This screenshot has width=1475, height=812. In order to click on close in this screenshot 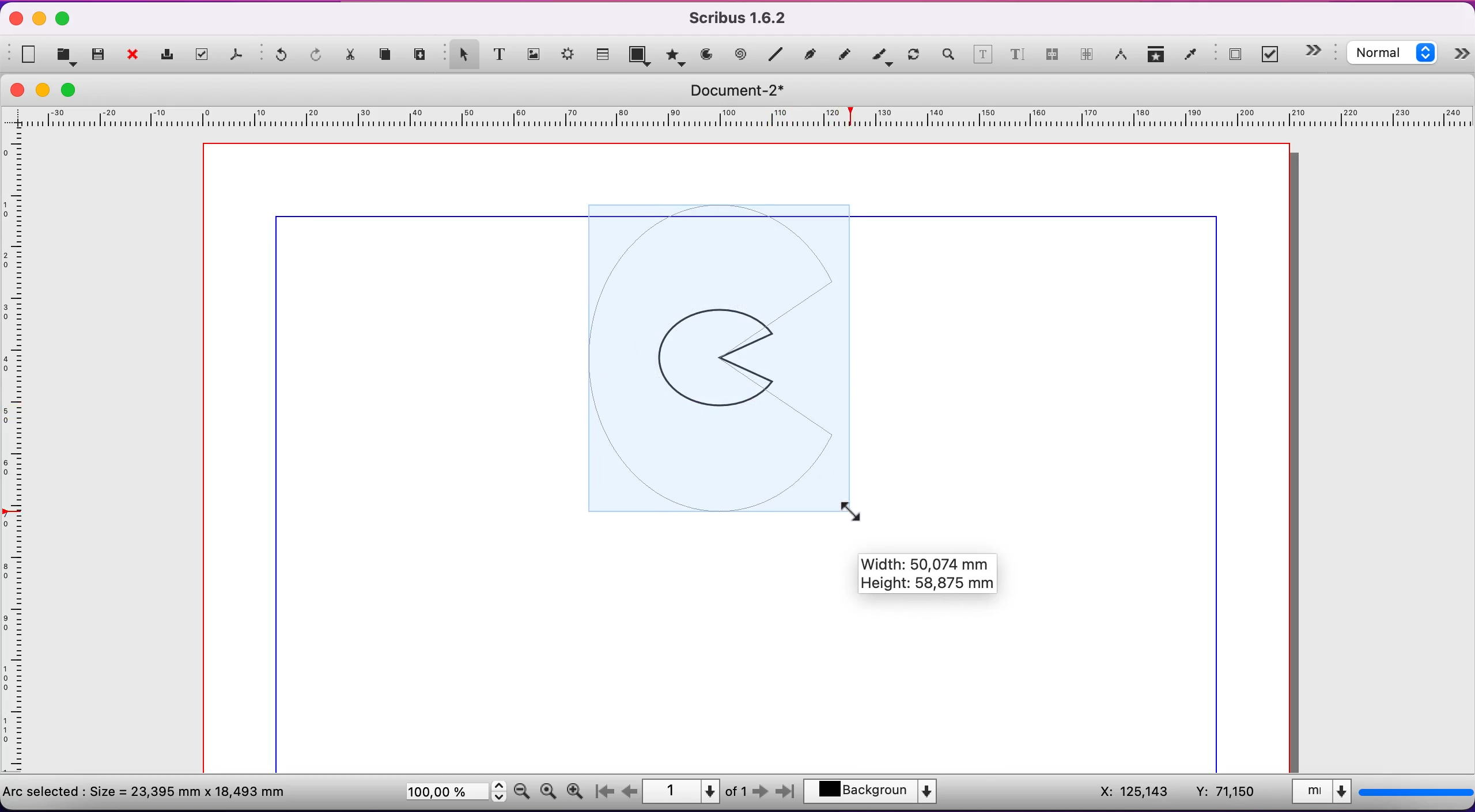, I will do `click(13, 20)`.